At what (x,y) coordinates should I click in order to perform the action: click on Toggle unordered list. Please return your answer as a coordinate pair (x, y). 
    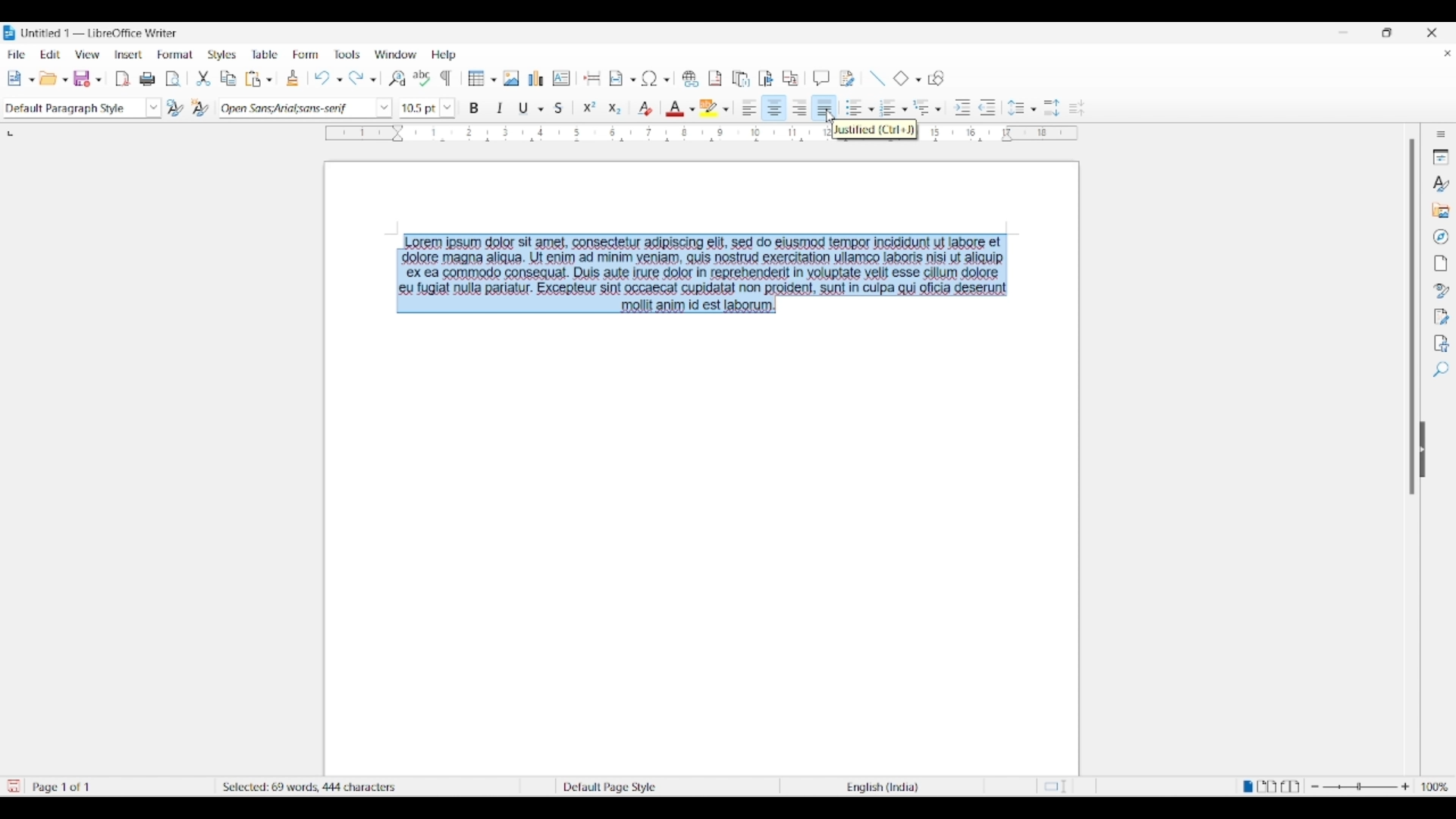
    Looking at the image, I should click on (850, 108).